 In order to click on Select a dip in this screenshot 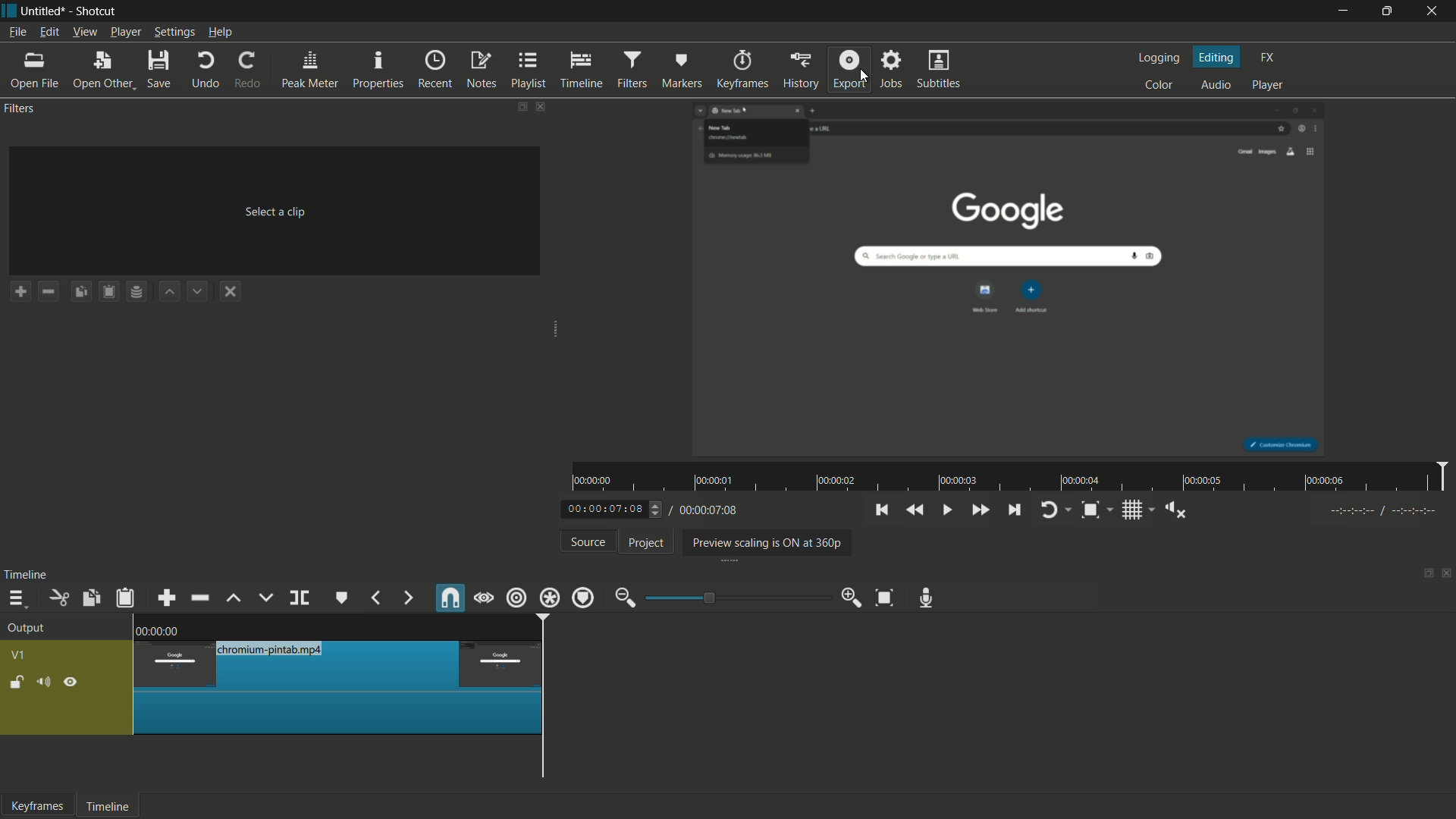, I will do `click(272, 209)`.